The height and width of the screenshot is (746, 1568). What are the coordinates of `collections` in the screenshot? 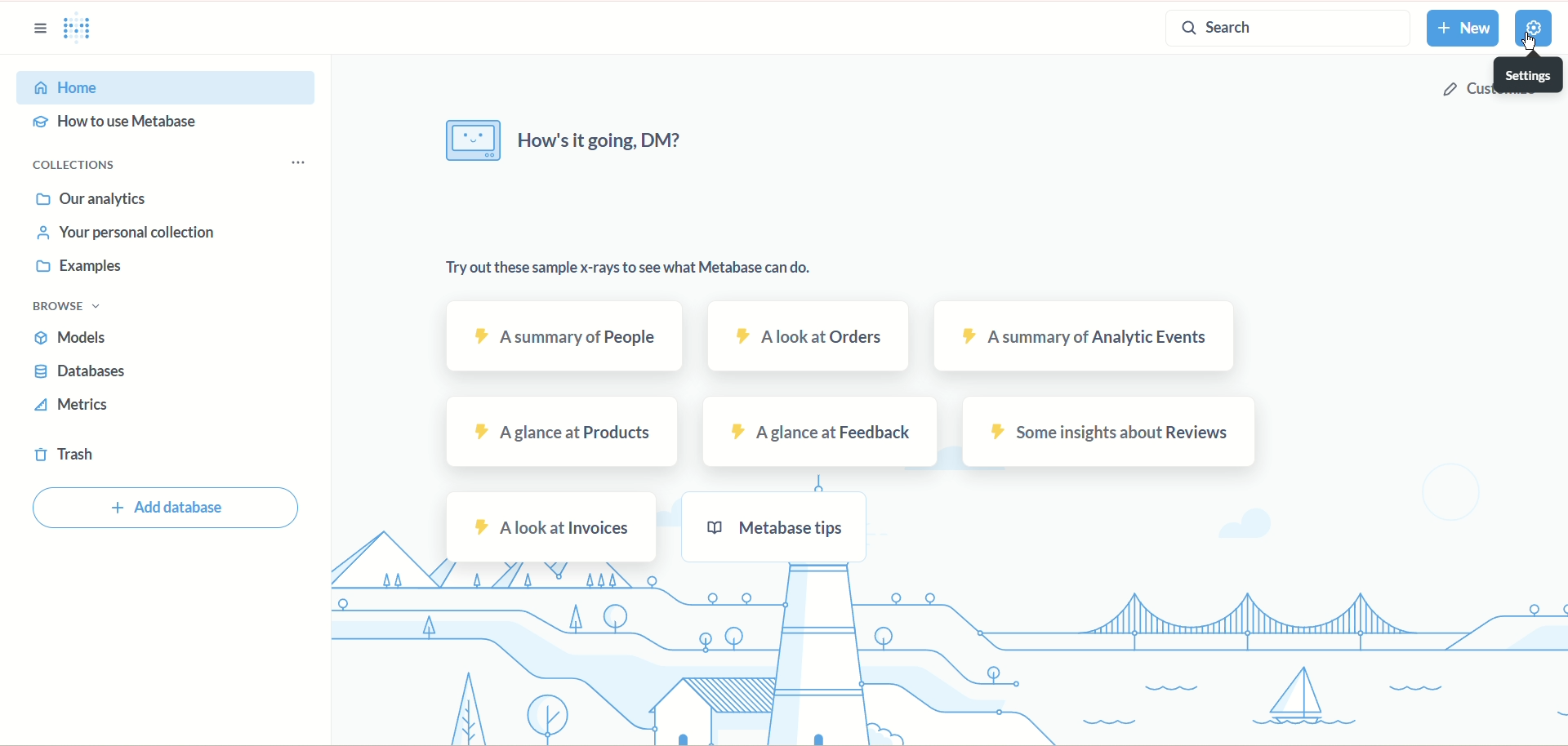 It's located at (74, 167).